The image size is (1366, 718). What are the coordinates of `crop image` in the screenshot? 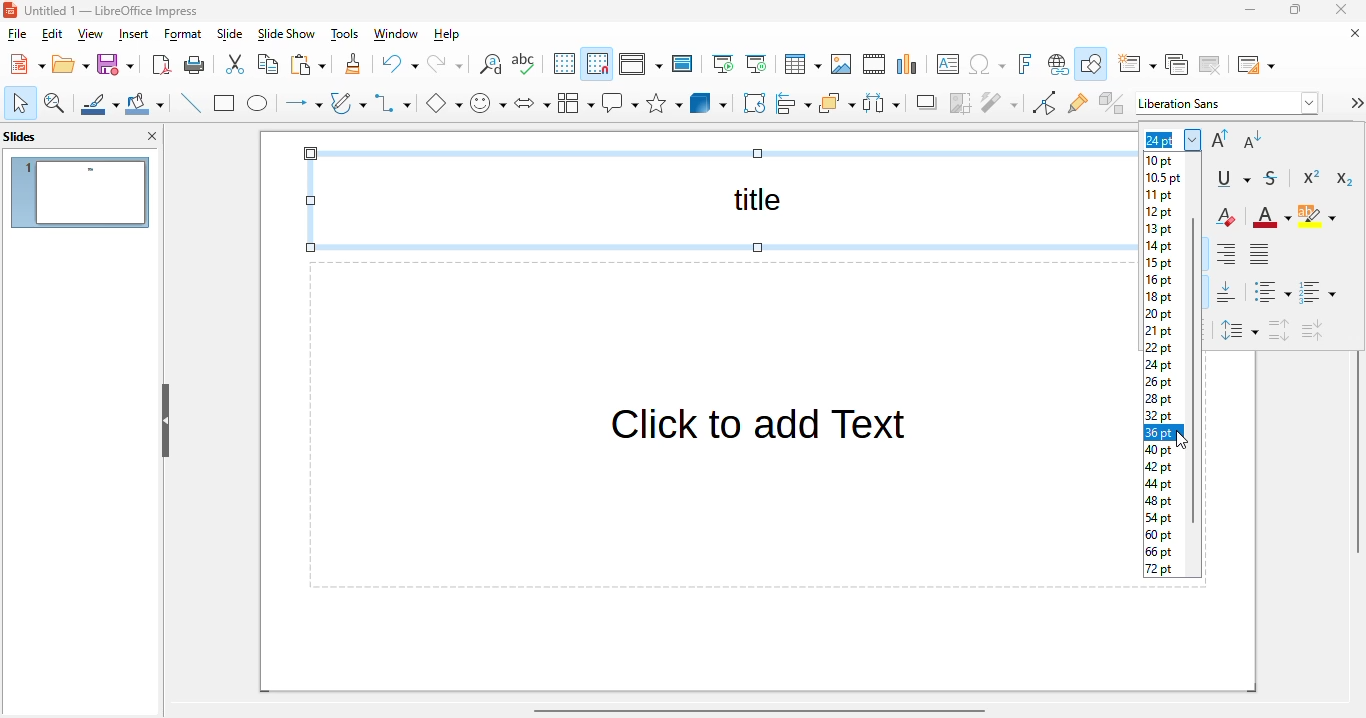 It's located at (960, 104).